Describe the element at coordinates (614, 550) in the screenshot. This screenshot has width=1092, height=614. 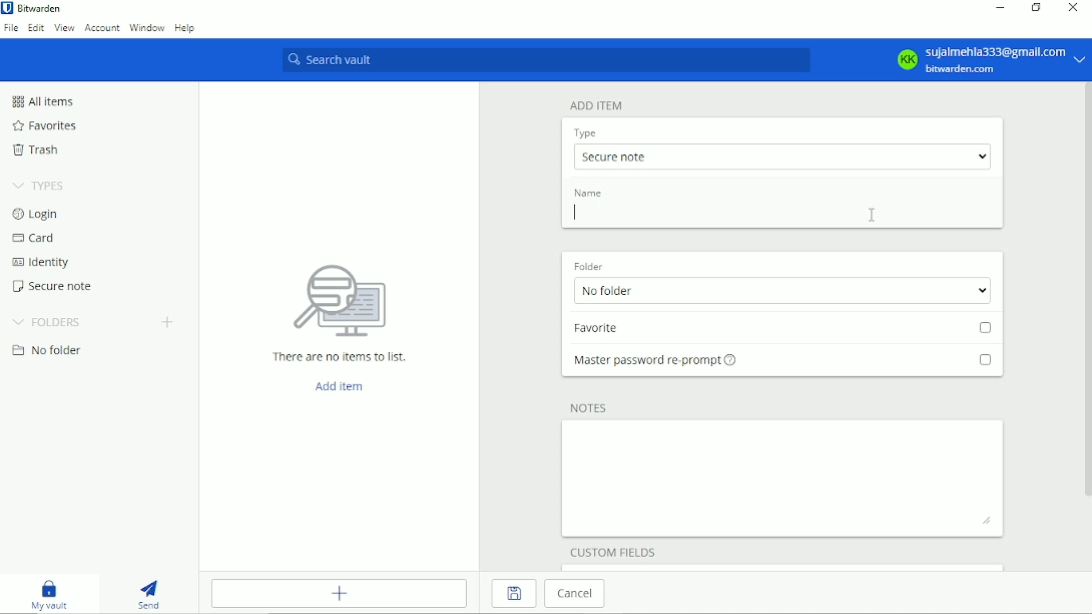
I see `Custom filelds` at that location.